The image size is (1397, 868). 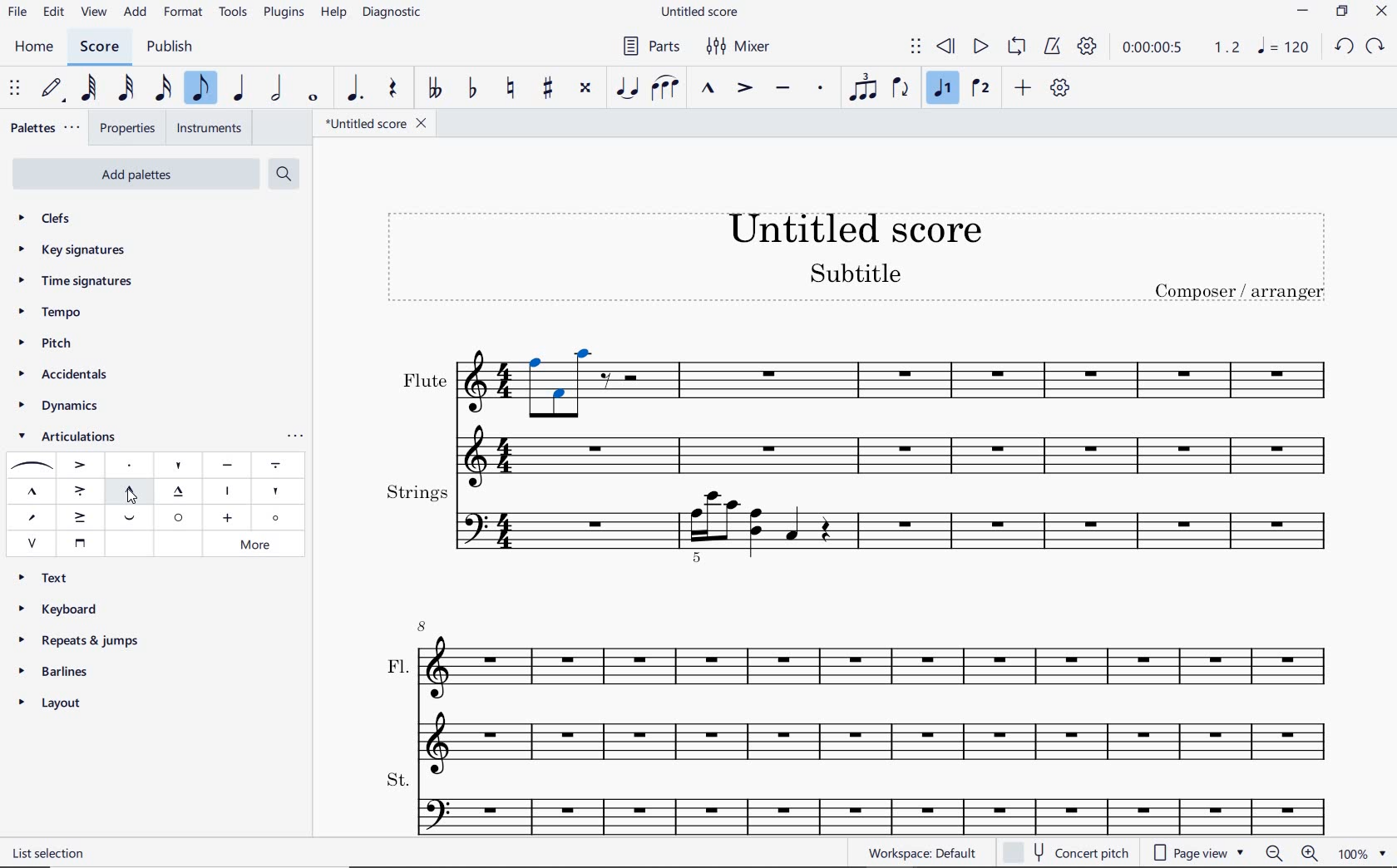 I want to click on articulations, so click(x=67, y=437).